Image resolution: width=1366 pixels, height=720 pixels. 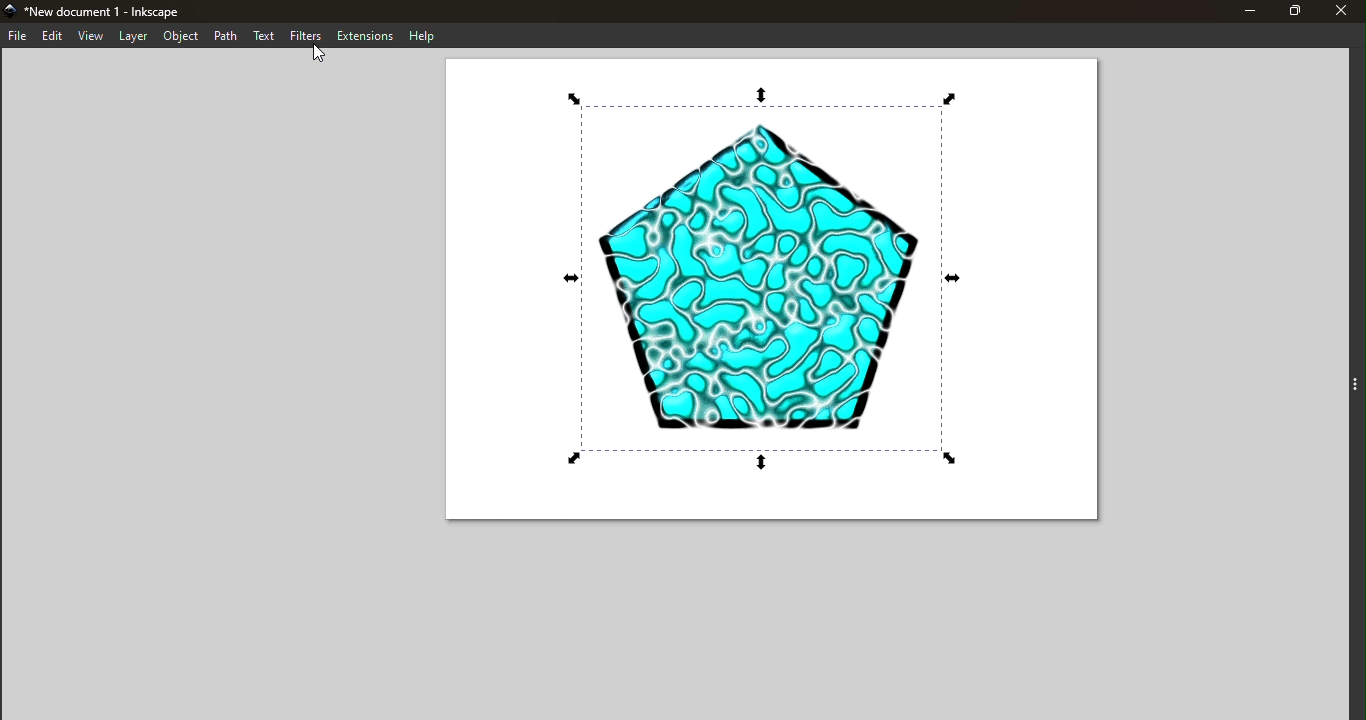 I want to click on Layer, so click(x=133, y=37).